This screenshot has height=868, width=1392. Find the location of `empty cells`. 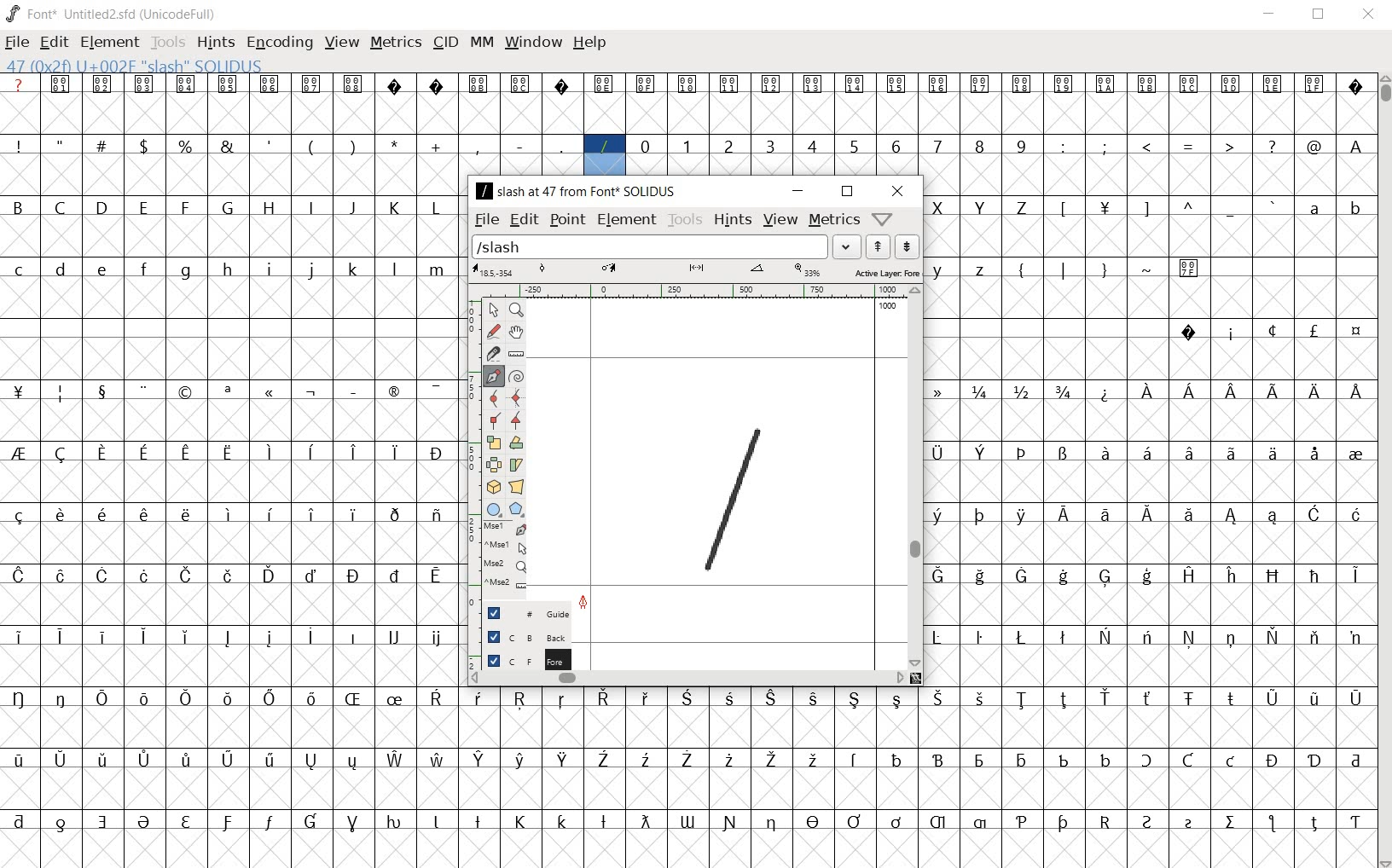

empty cells is located at coordinates (234, 483).